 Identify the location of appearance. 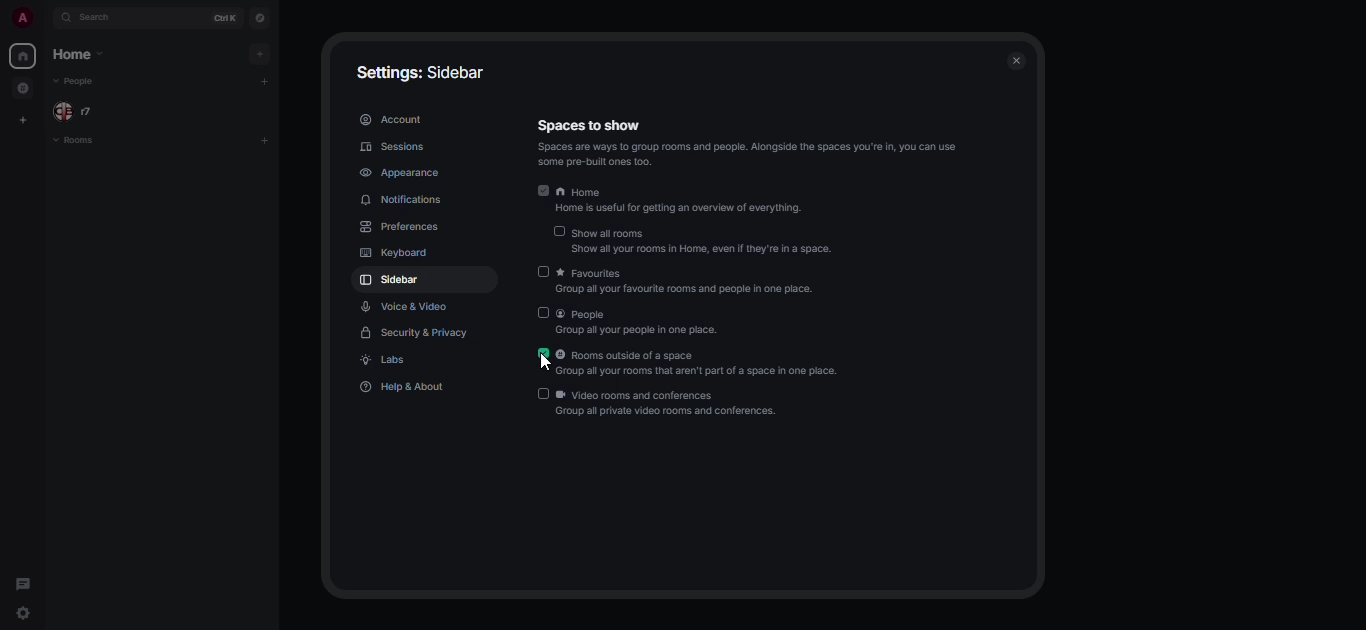
(402, 173).